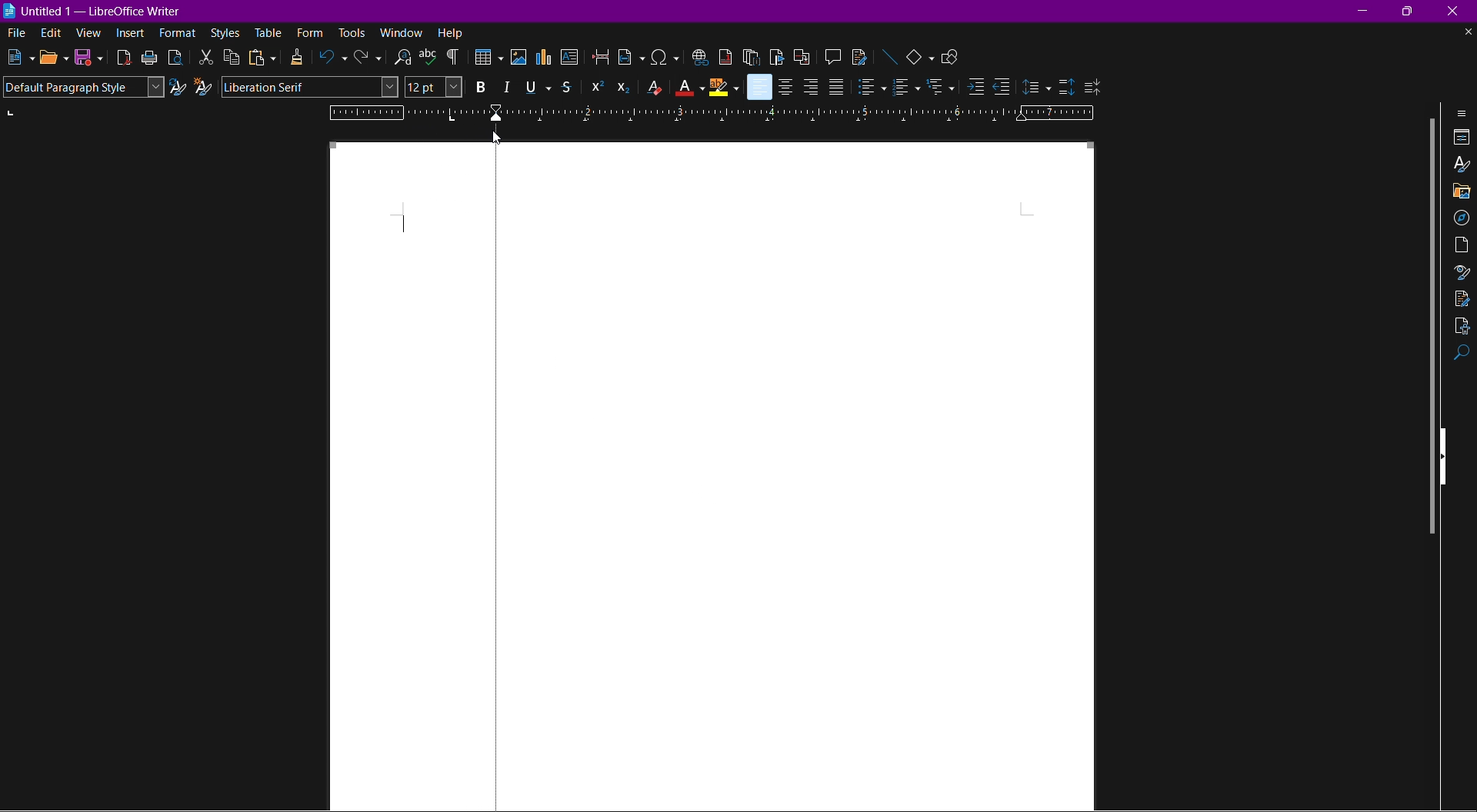 The height and width of the screenshot is (812, 1477). What do you see at coordinates (872, 87) in the screenshot?
I see `Toggle Unordered List` at bounding box center [872, 87].